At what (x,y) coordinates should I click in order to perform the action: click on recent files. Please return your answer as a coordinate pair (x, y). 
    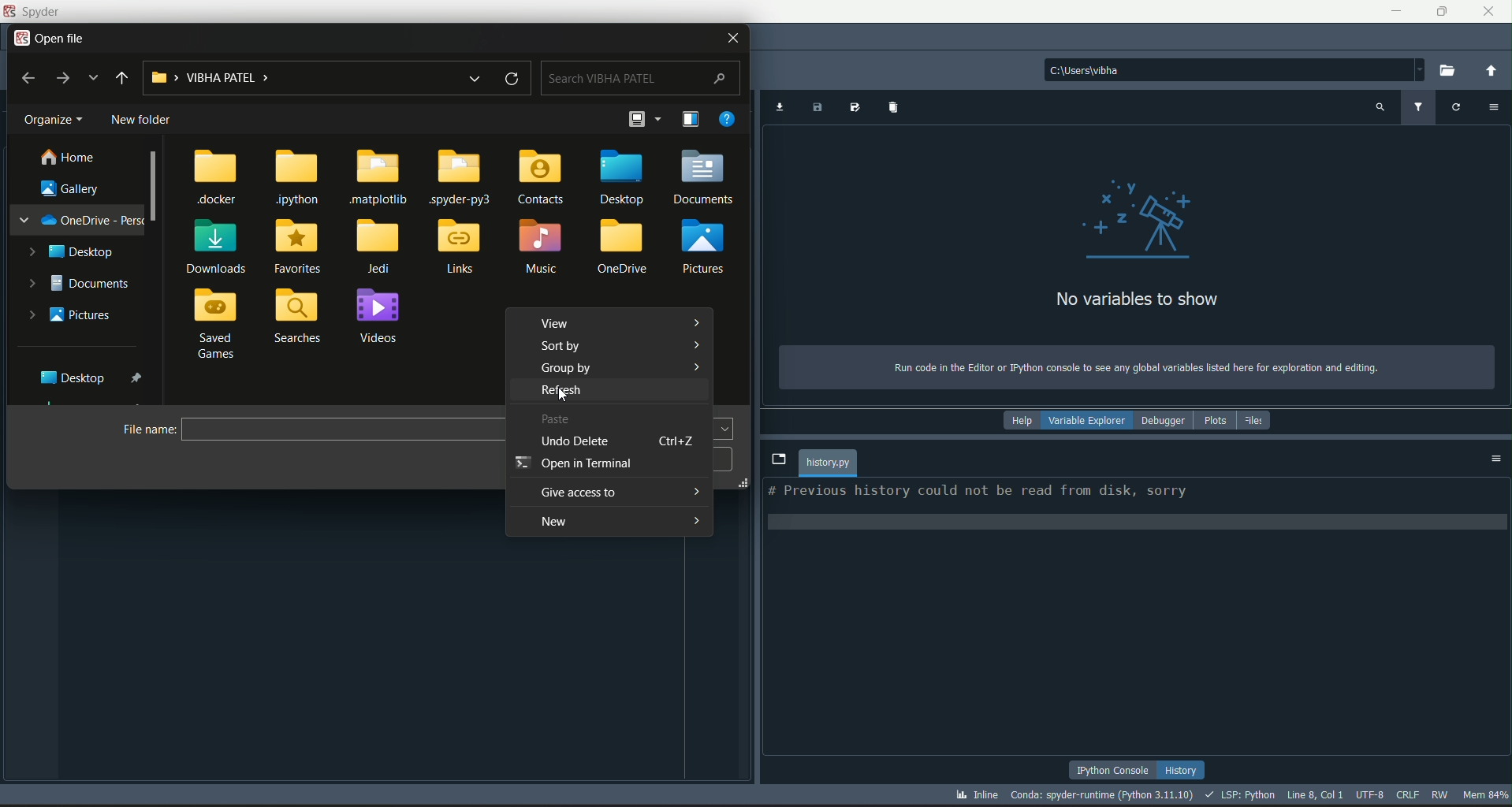
    Looking at the image, I should click on (472, 78).